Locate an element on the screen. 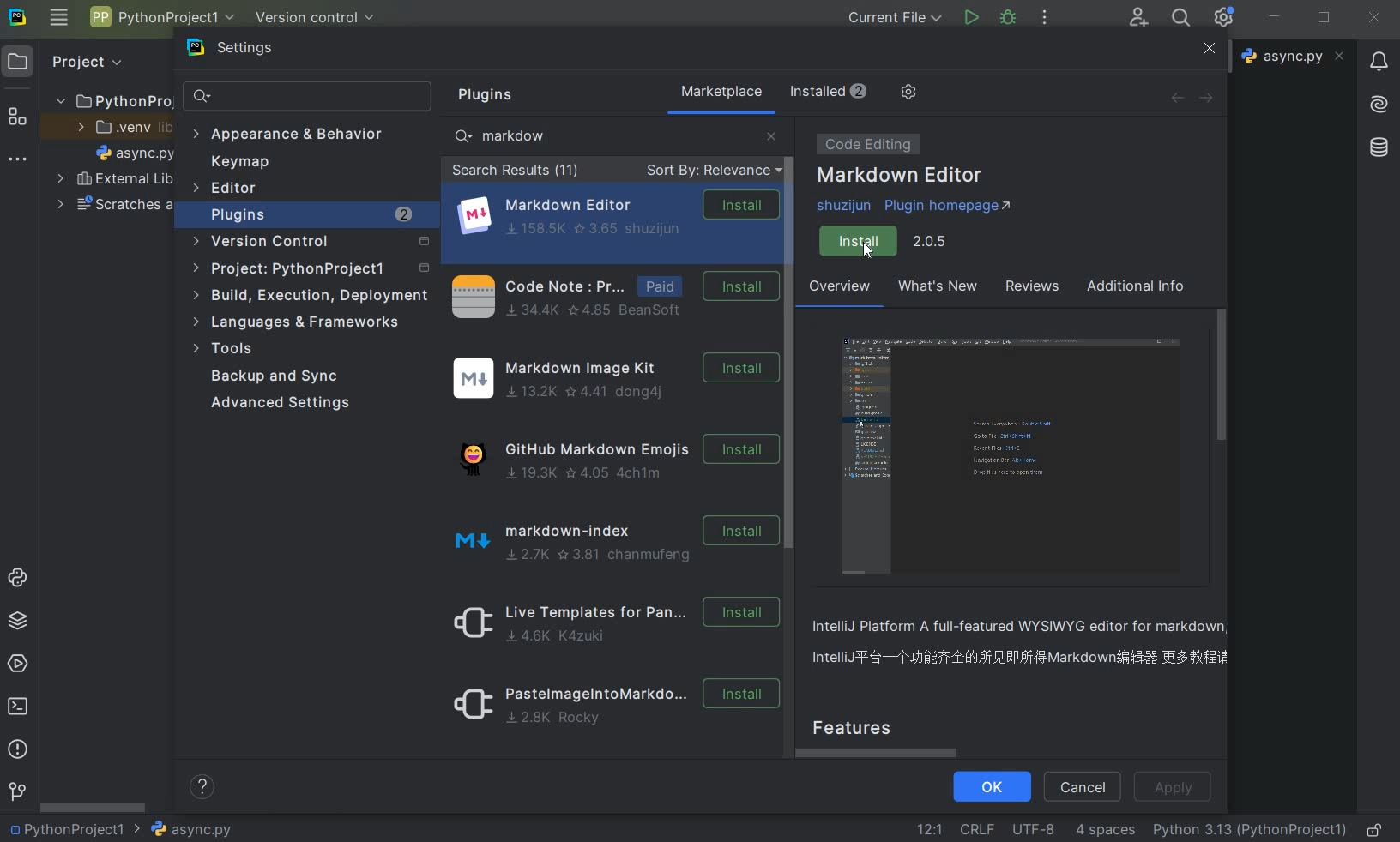 This screenshot has width=1400, height=842. backup and sync is located at coordinates (287, 377).